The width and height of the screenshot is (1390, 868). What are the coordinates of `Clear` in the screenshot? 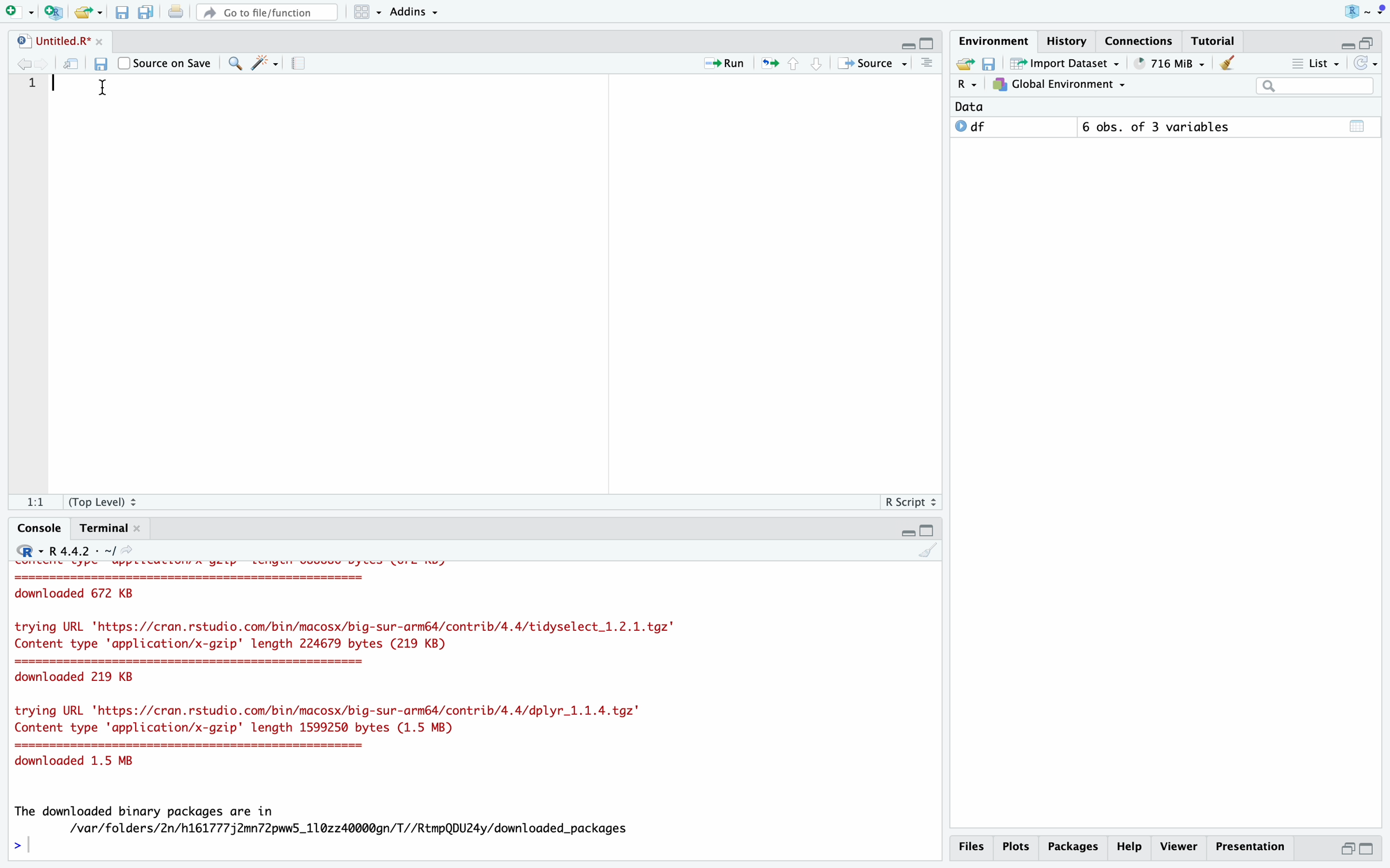 It's located at (926, 550).